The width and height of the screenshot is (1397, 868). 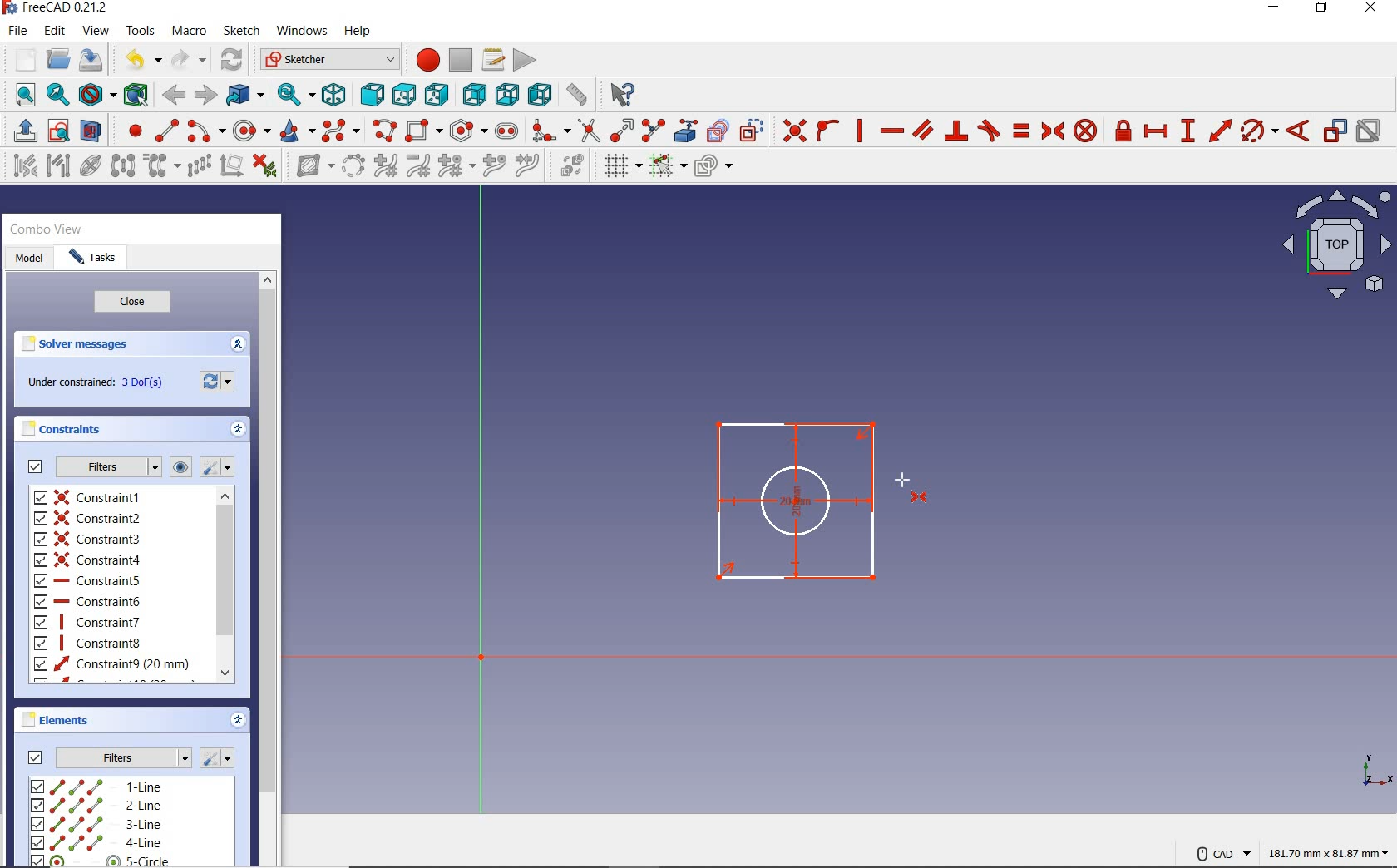 What do you see at coordinates (160, 167) in the screenshot?
I see `clone` at bounding box center [160, 167].